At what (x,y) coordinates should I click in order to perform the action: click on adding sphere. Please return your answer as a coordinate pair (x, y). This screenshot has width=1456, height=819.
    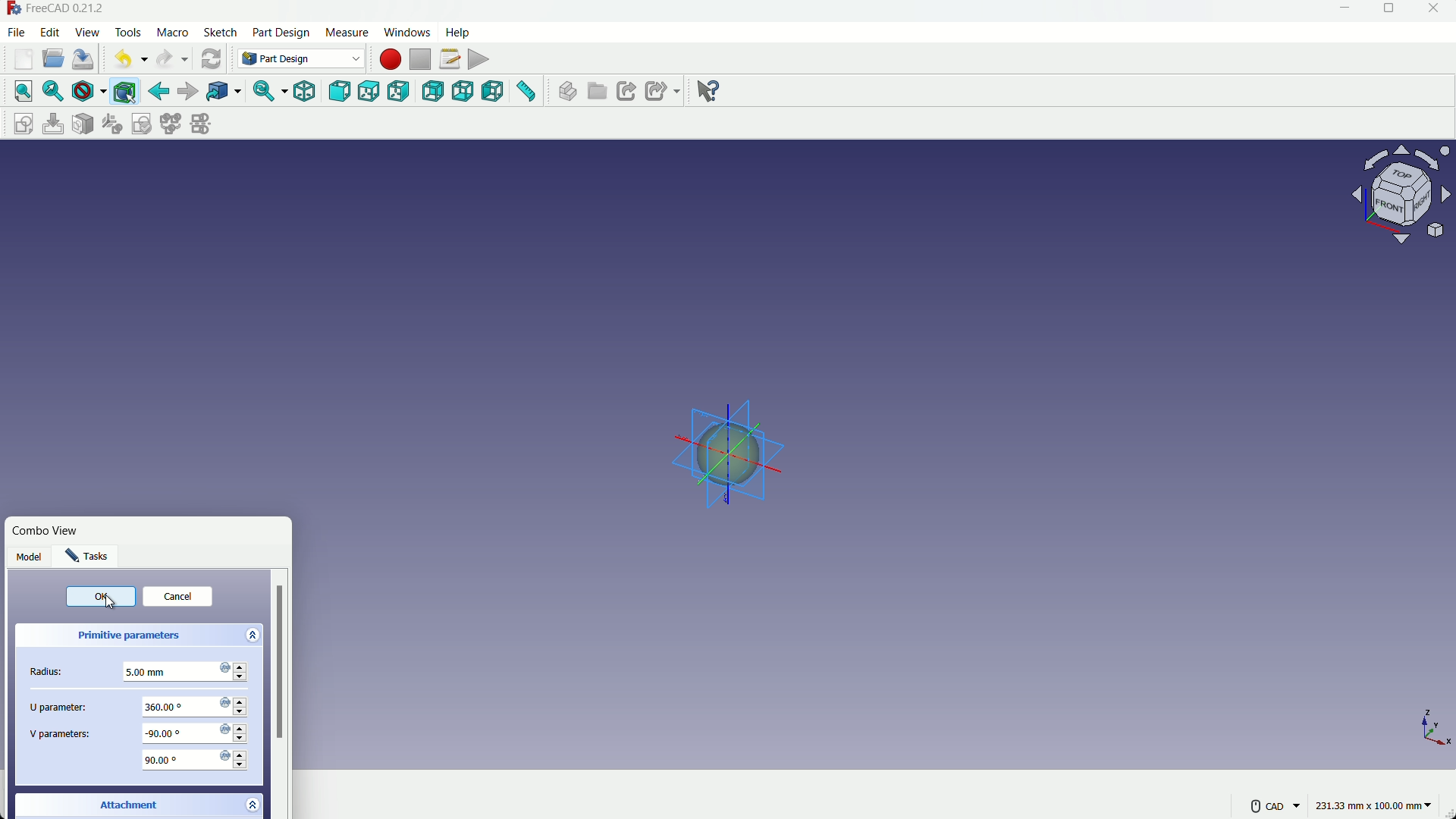
    Looking at the image, I should click on (726, 447).